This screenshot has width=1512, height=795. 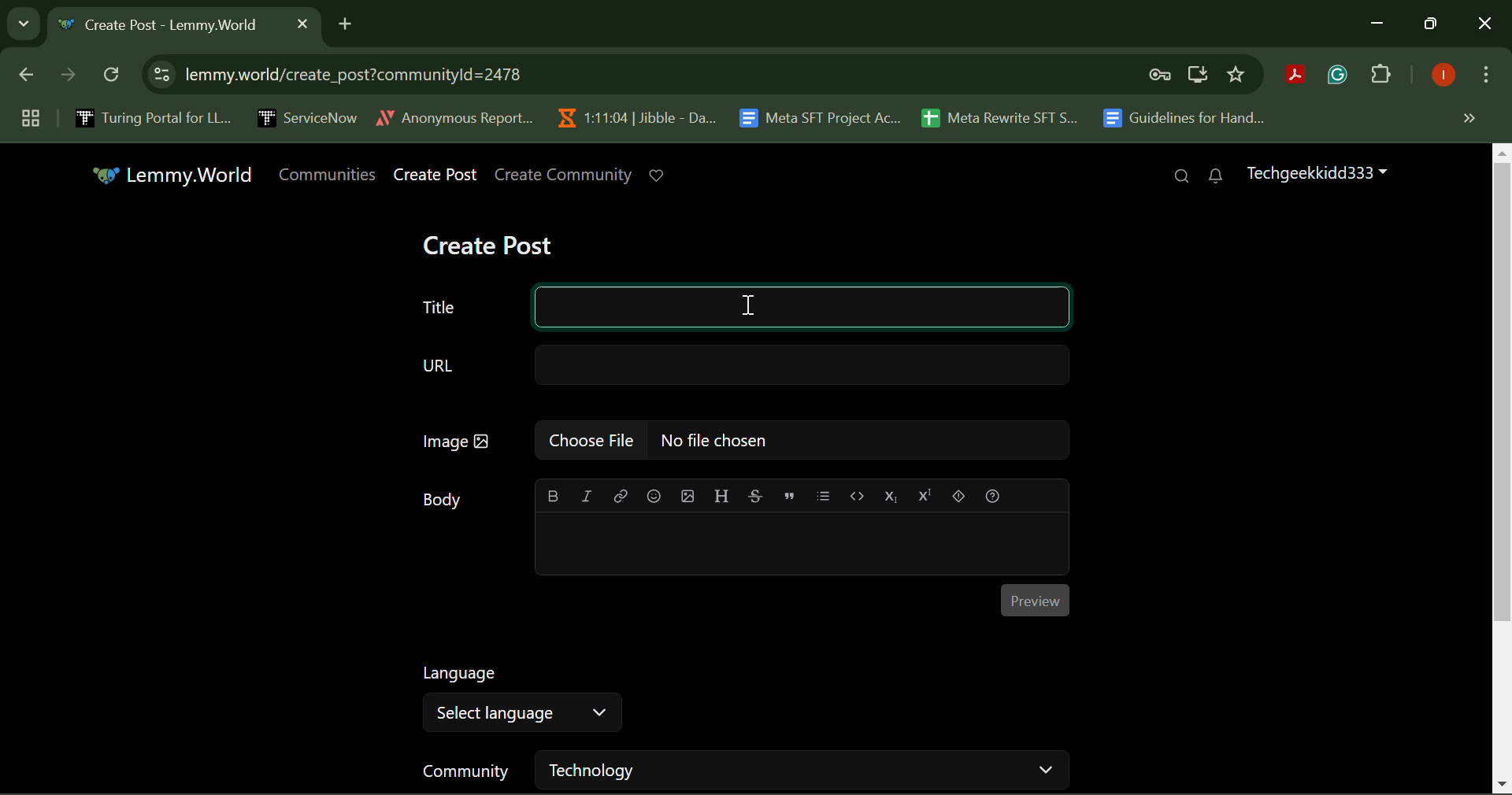 I want to click on Search, so click(x=1181, y=177).